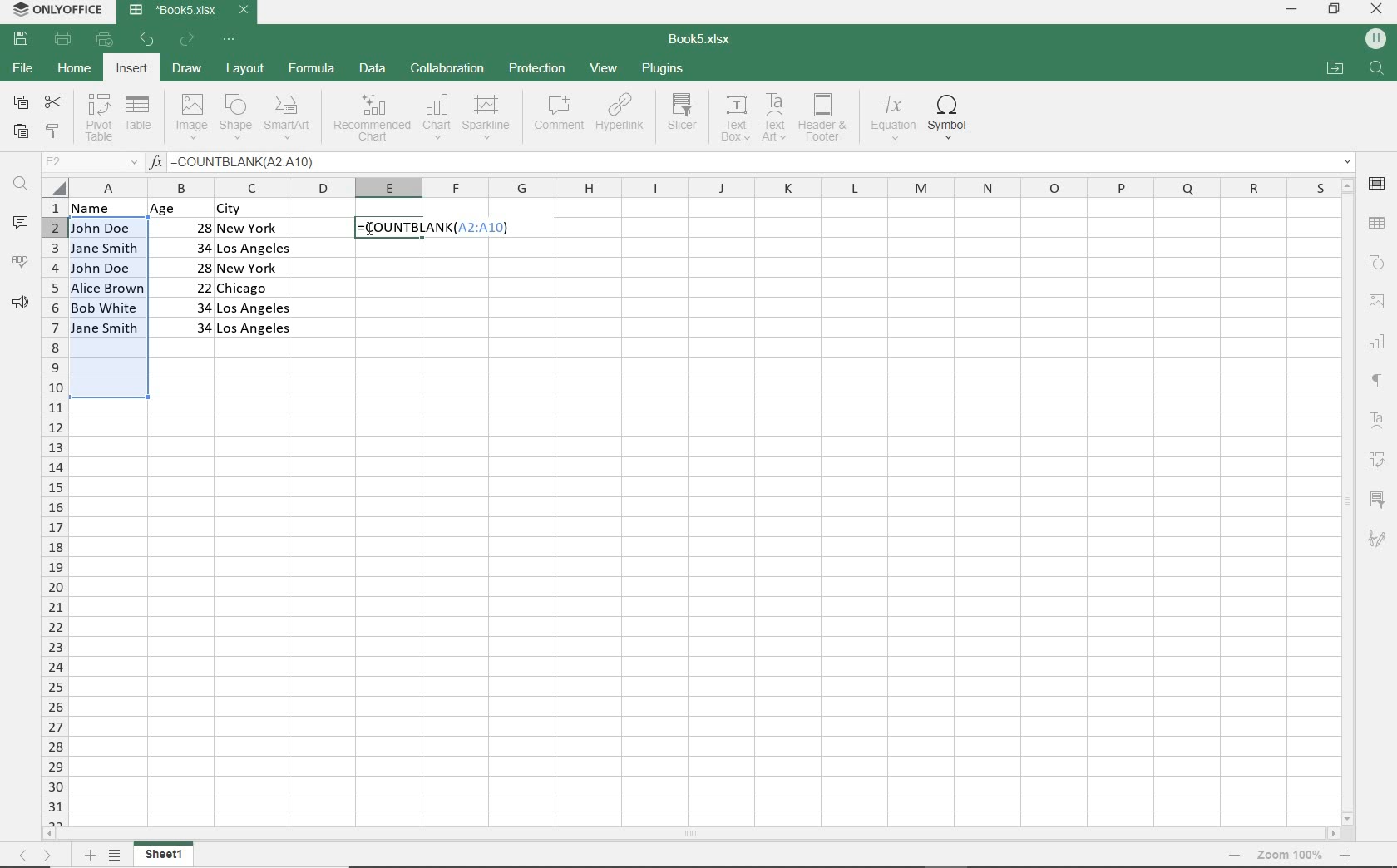 This screenshot has height=868, width=1397. Describe the element at coordinates (447, 71) in the screenshot. I see `COLLABORATION` at that location.